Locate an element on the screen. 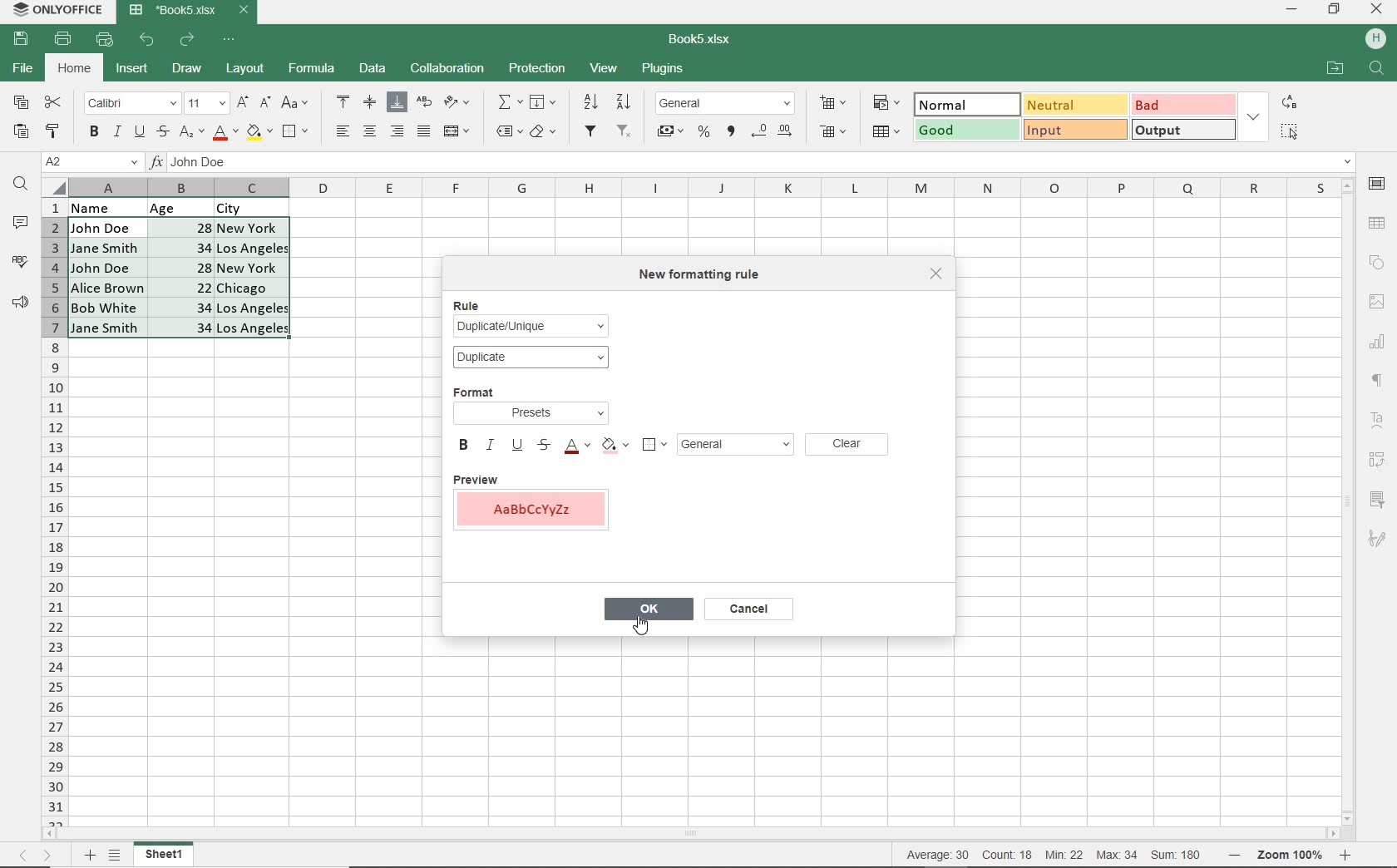  MERGE & CENTER is located at coordinates (457, 131).